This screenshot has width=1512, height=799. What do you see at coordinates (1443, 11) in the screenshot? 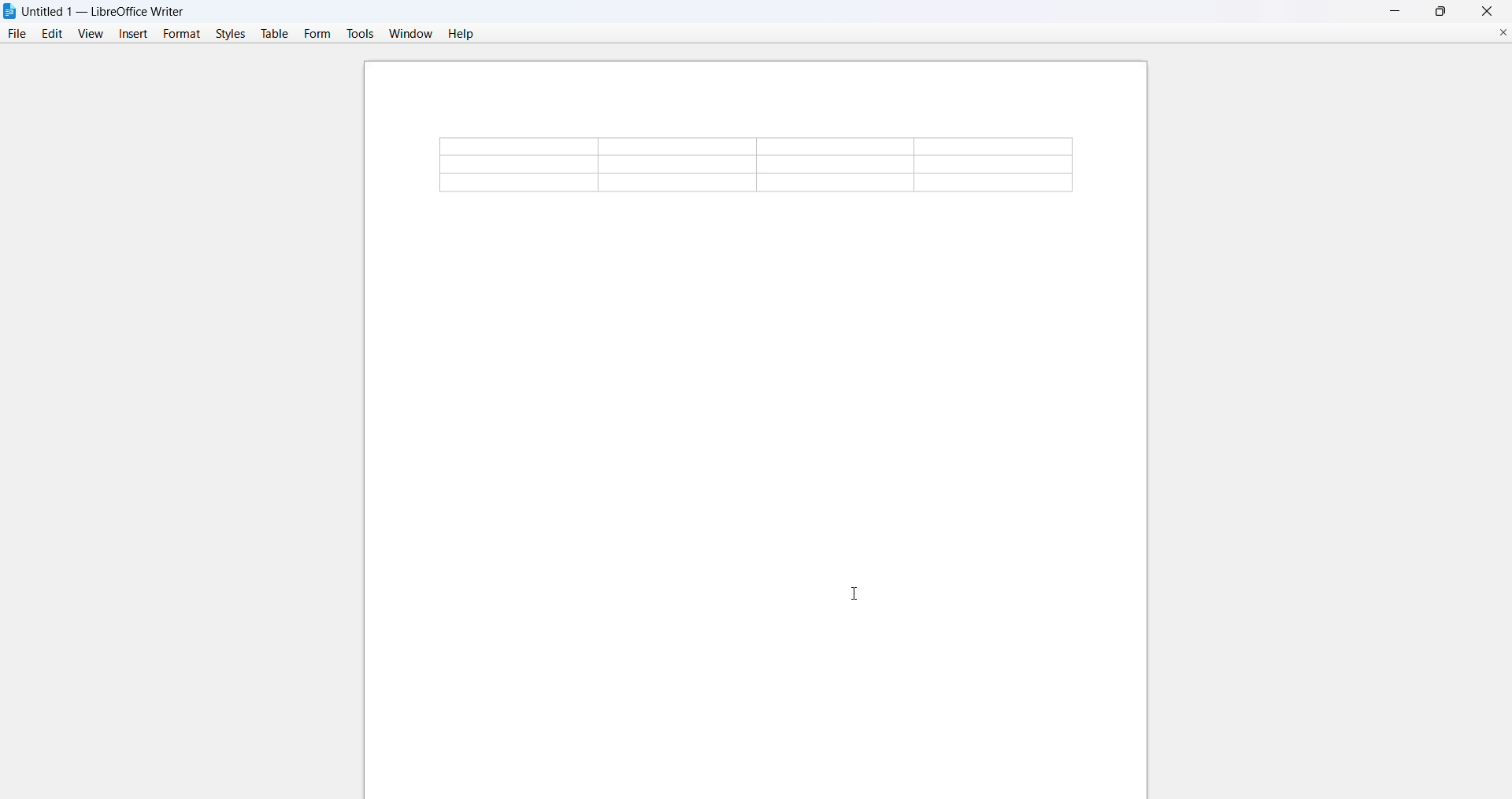
I see `maximize` at bounding box center [1443, 11].